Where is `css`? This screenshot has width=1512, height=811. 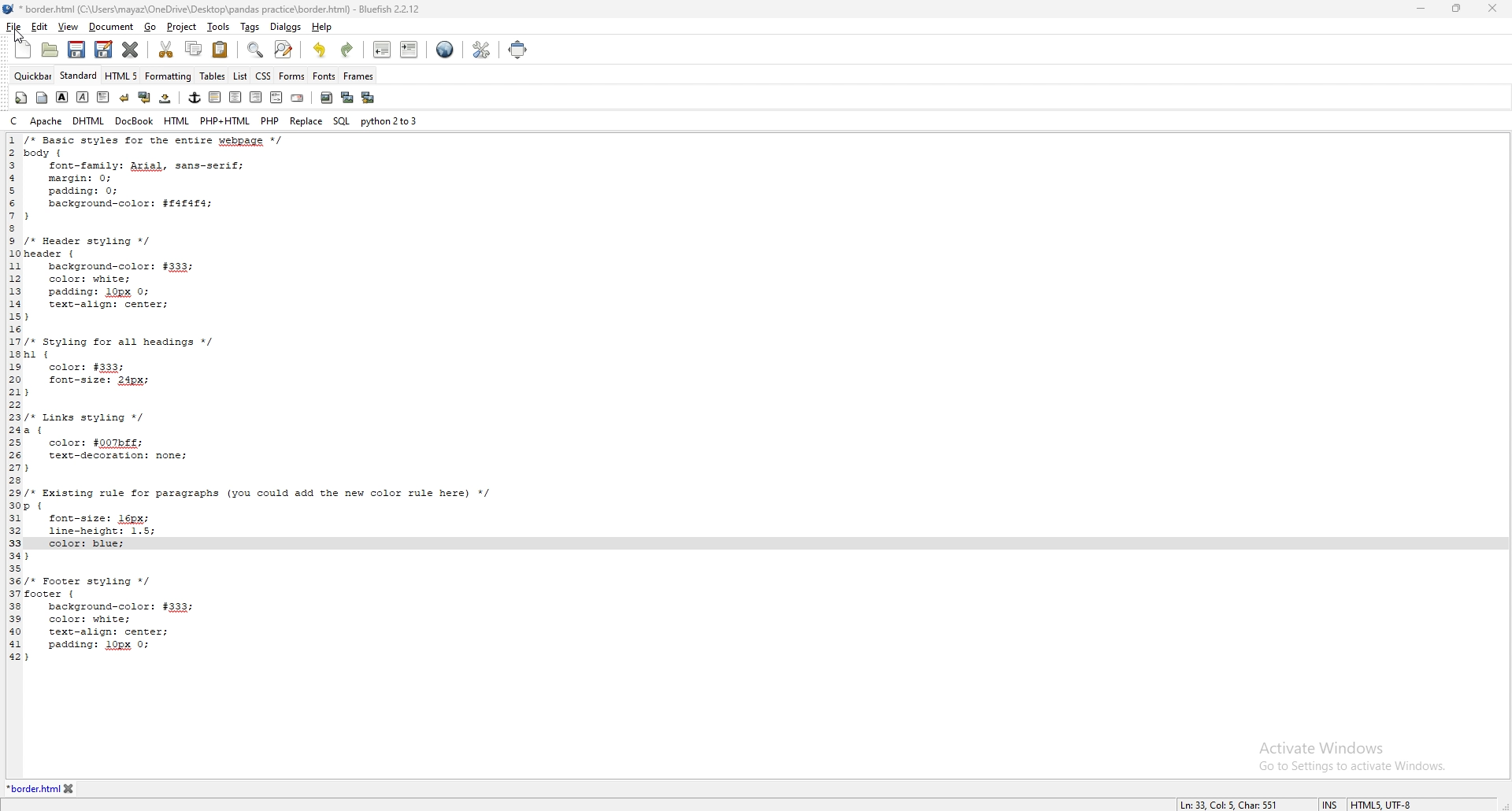 css is located at coordinates (262, 77).